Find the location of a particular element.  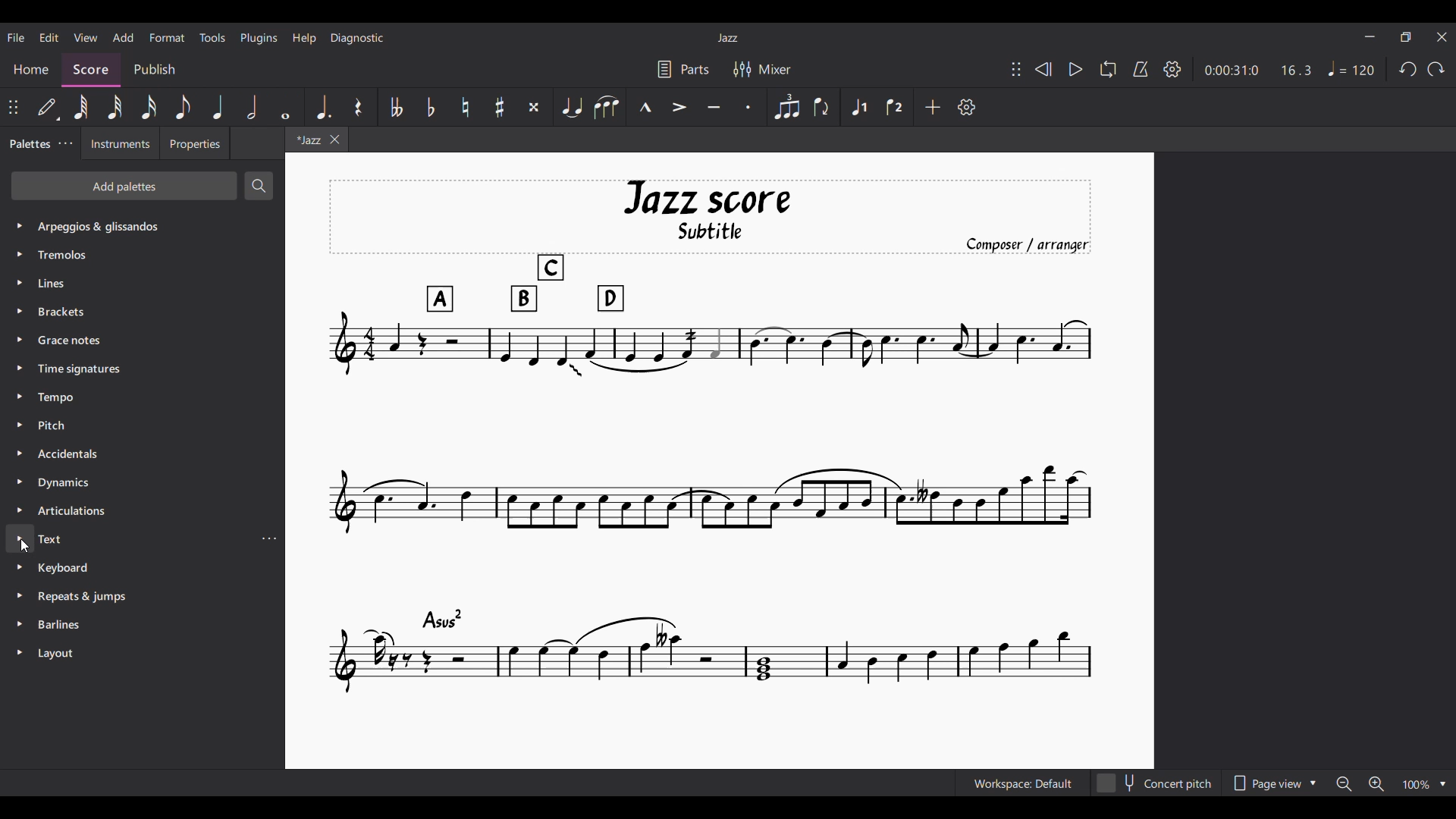

Expand is located at coordinates (22, 439).